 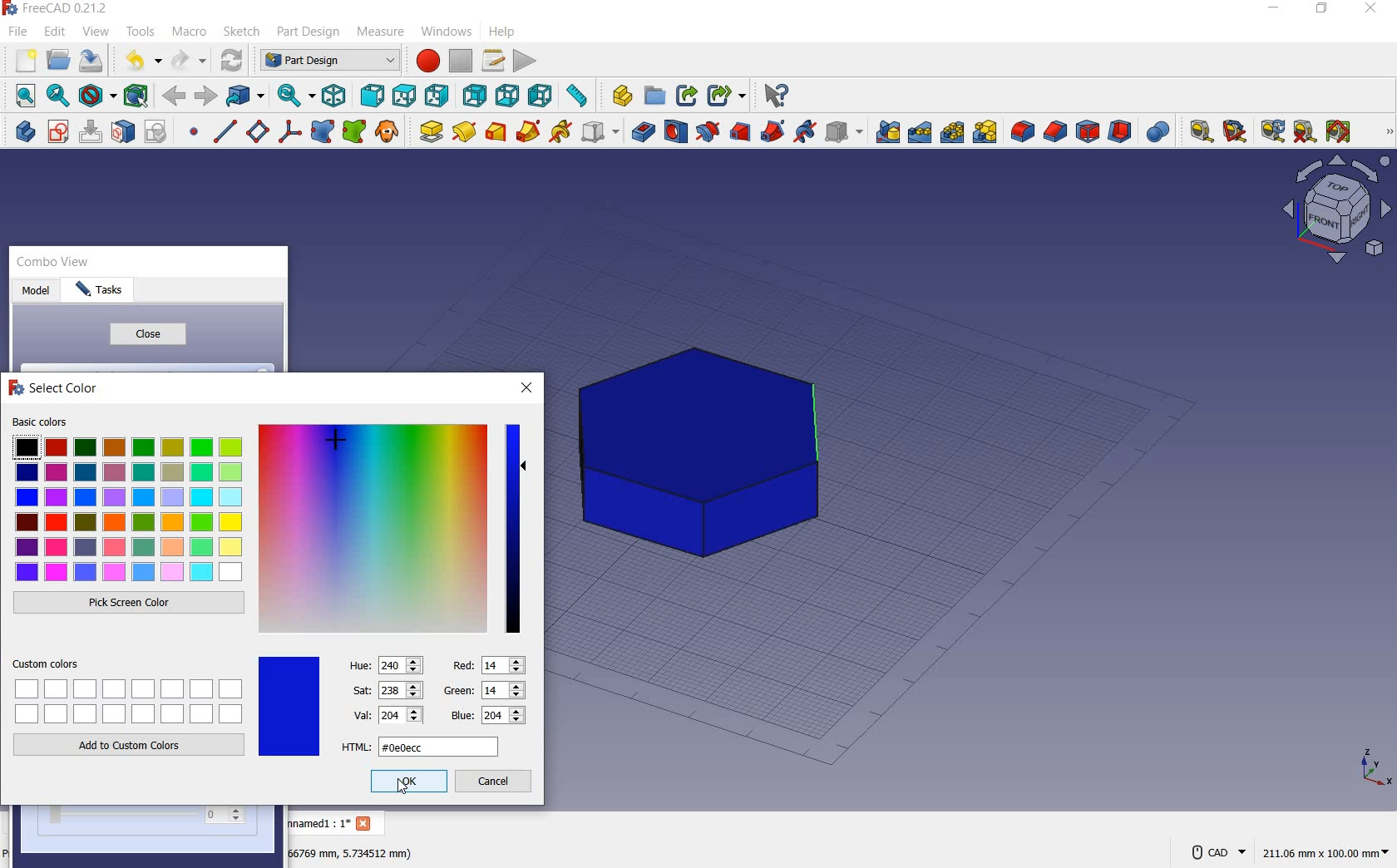 I want to click on right, so click(x=438, y=96).